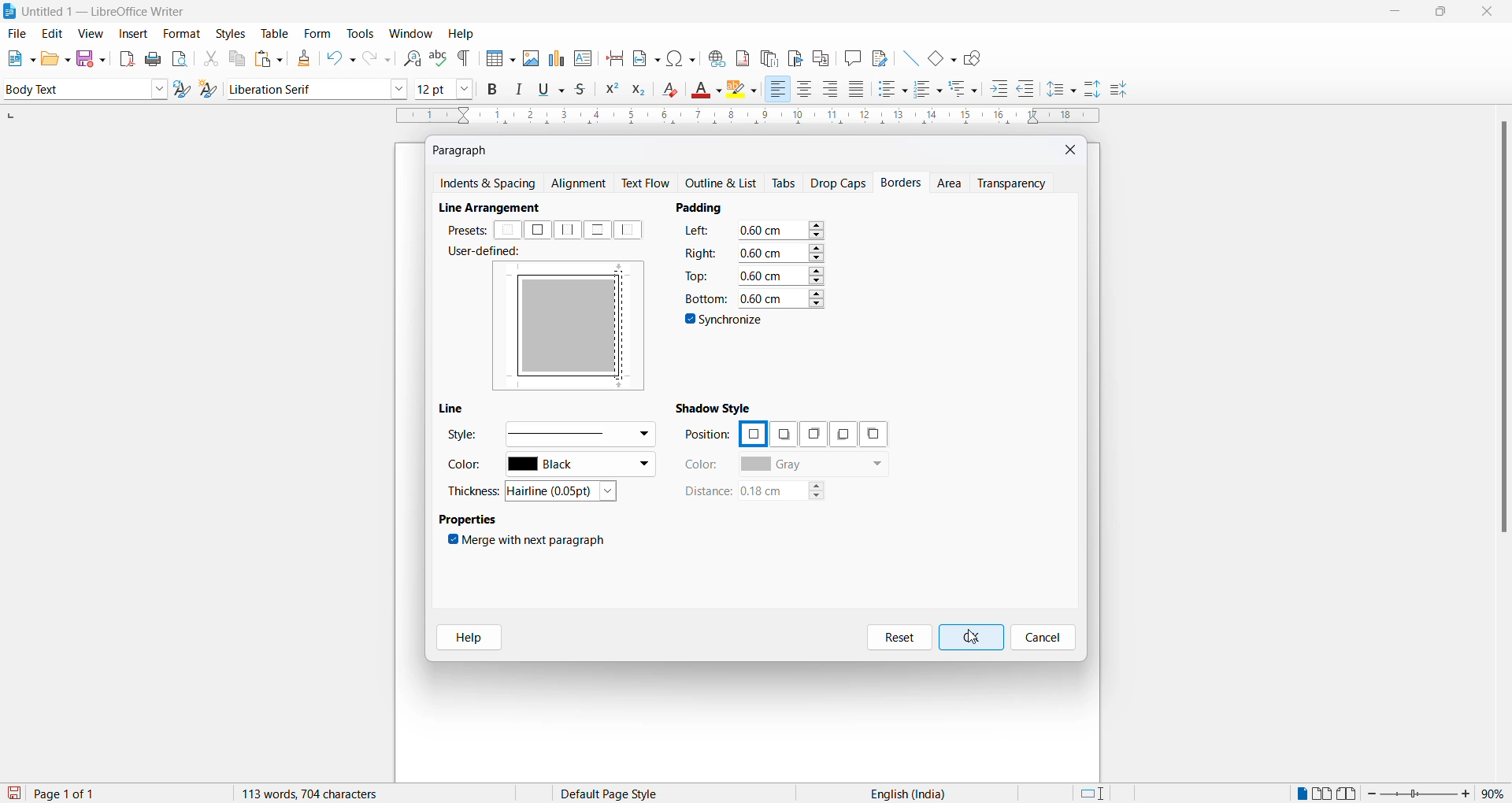  I want to click on help, so click(461, 34).